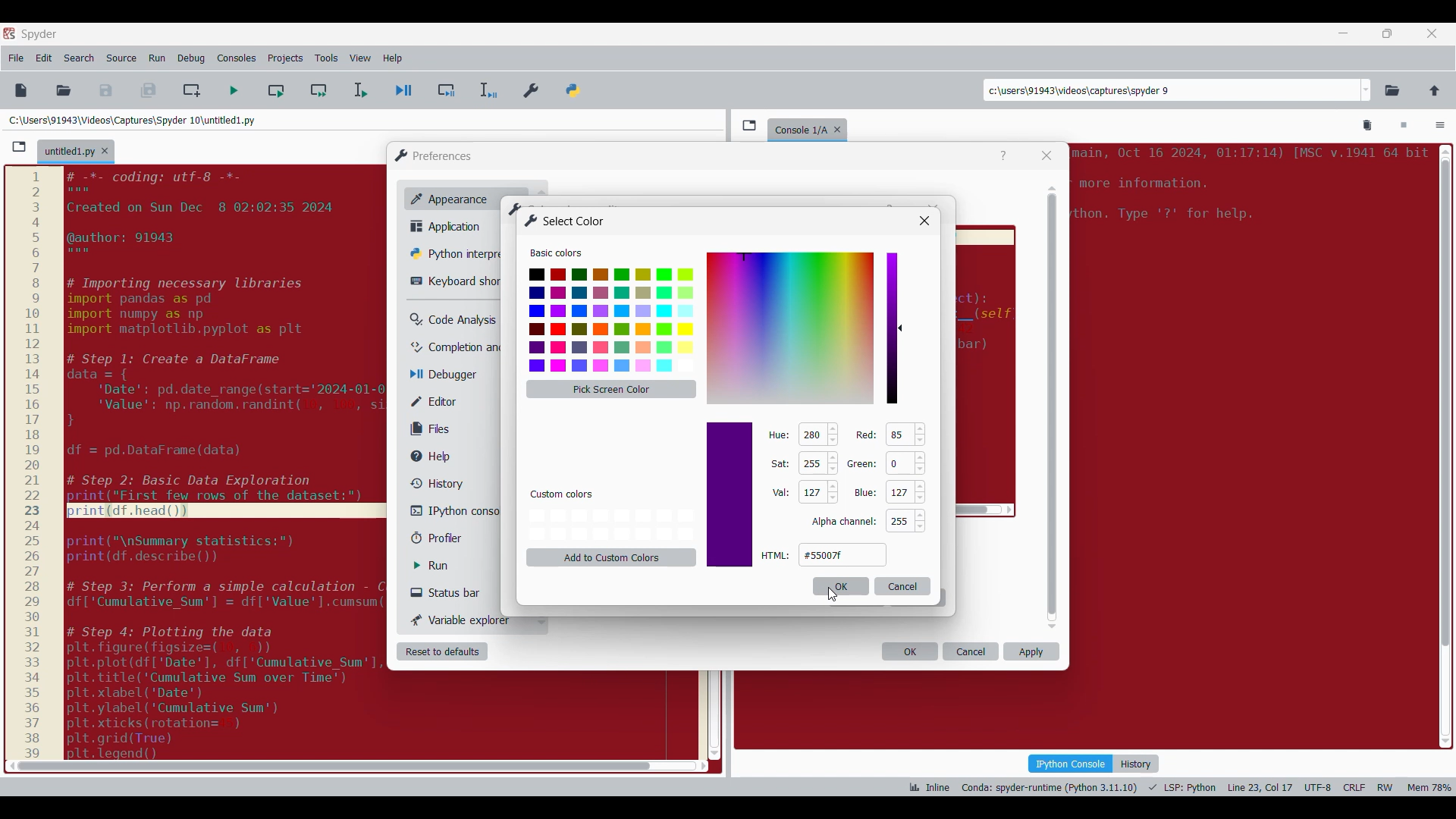  Describe the element at coordinates (811, 435) in the screenshot. I see `353` at that location.